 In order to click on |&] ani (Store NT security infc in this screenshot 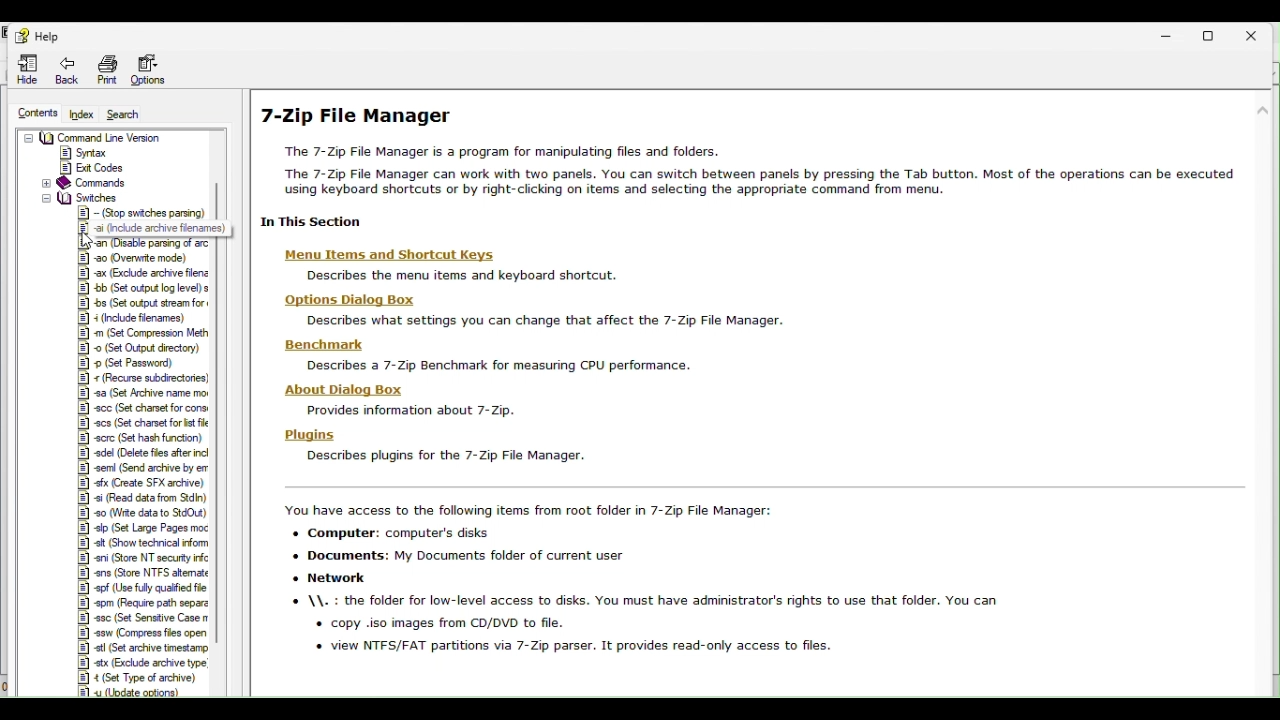, I will do `click(145, 557)`.